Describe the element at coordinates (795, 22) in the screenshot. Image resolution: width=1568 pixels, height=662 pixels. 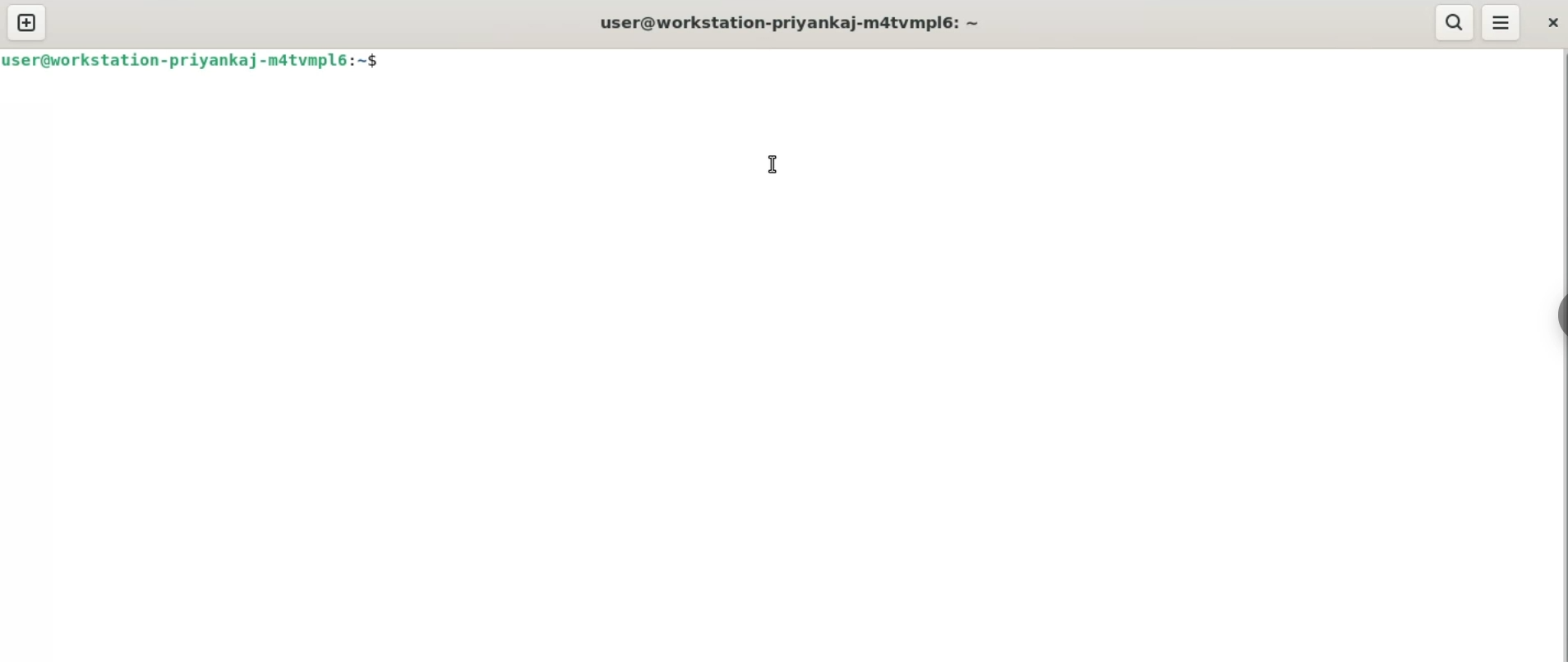
I see `user@workstation-priyankaj-m4tvmpl6: ~` at that location.